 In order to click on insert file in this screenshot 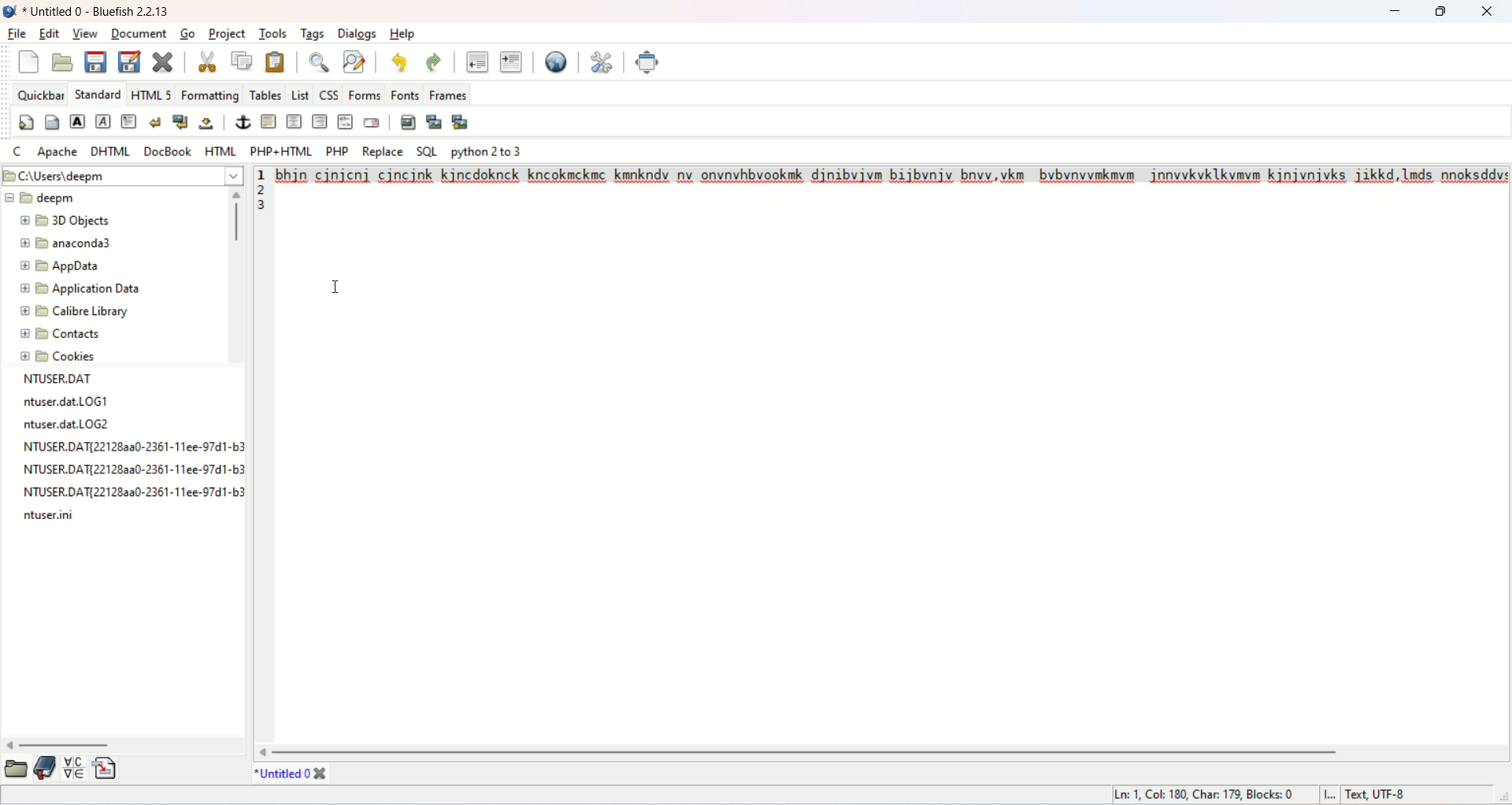, I will do `click(109, 769)`.